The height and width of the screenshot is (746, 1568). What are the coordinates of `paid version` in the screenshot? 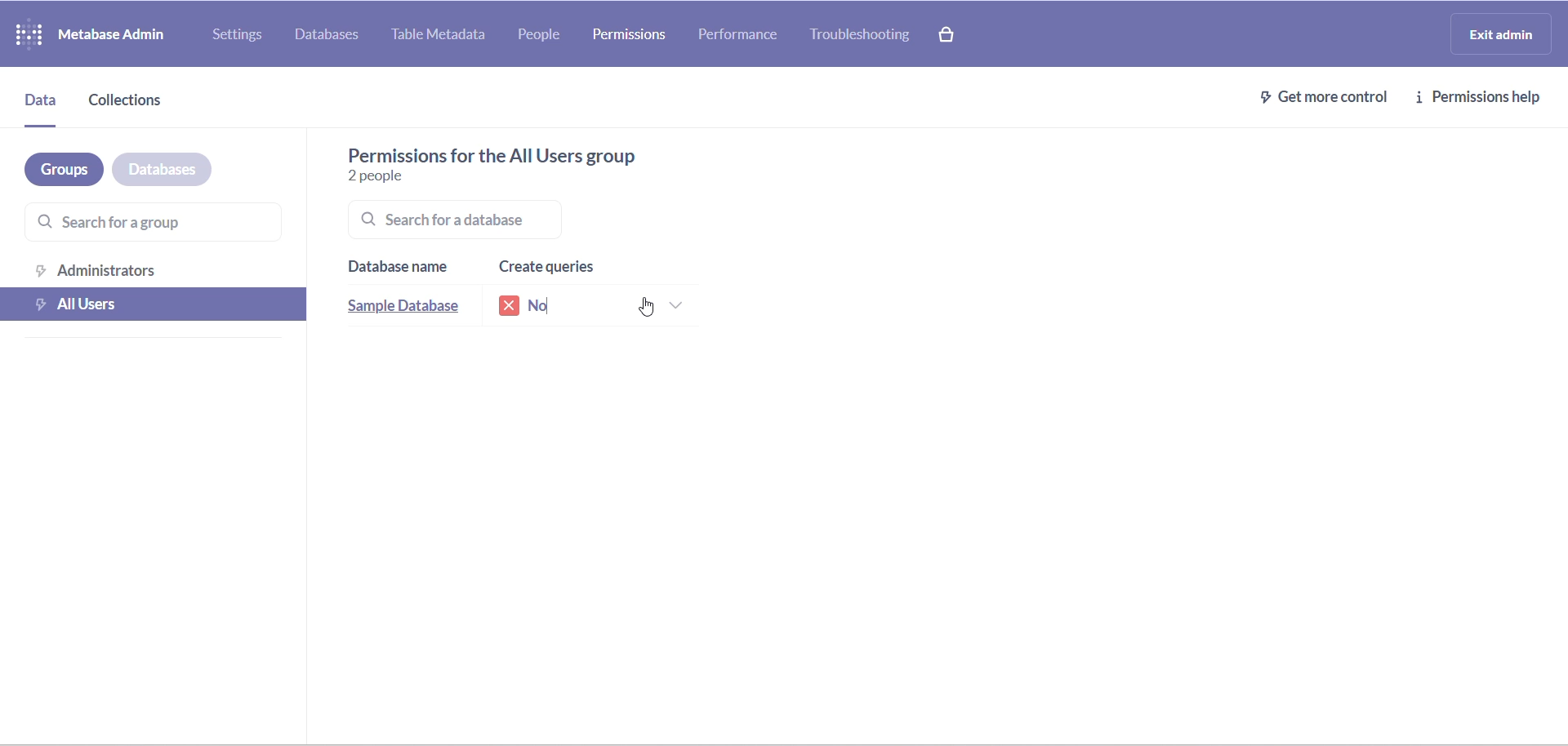 It's located at (957, 34).